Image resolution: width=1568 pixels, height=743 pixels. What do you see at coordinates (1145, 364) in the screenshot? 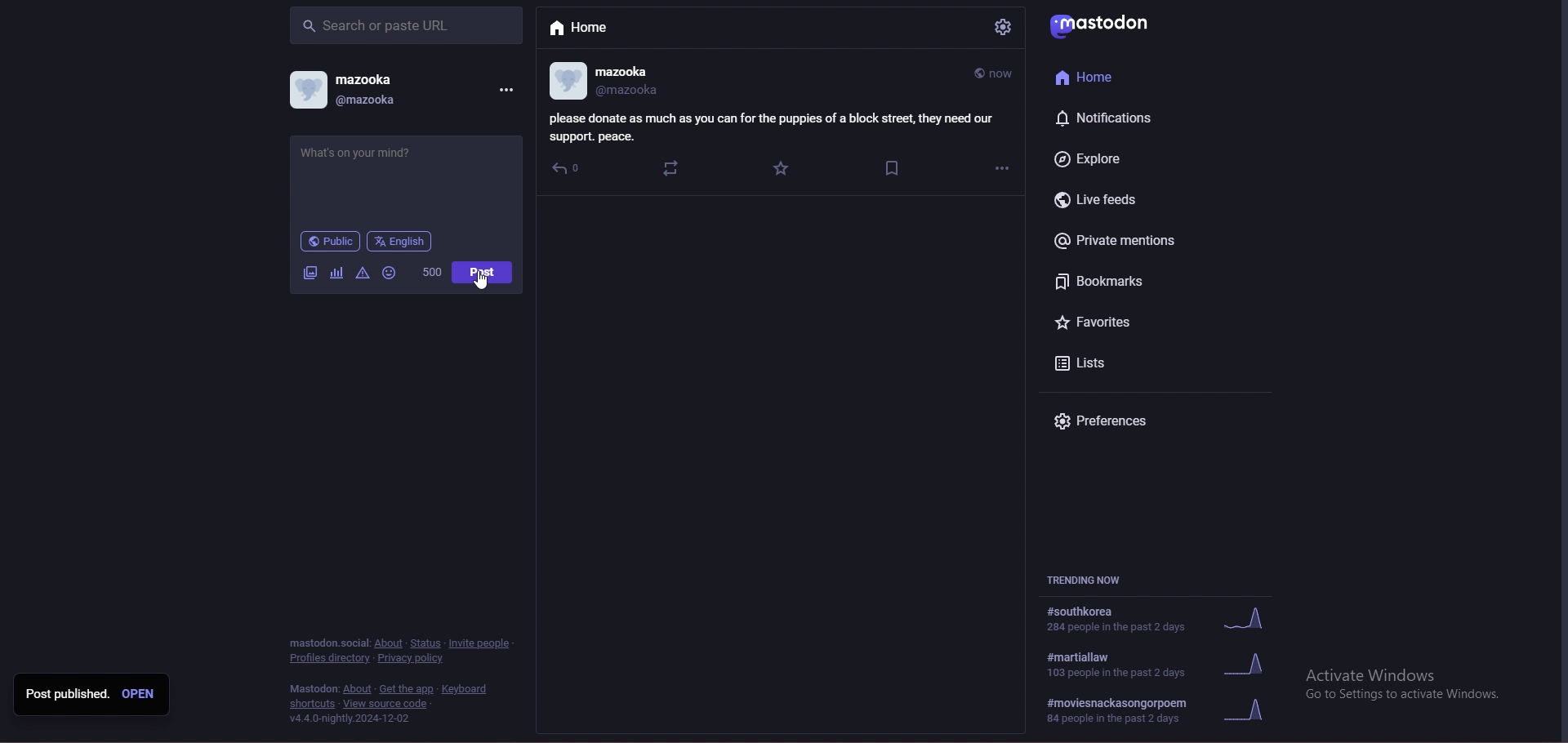
I see `lists` at bounding box center [1145, 364].